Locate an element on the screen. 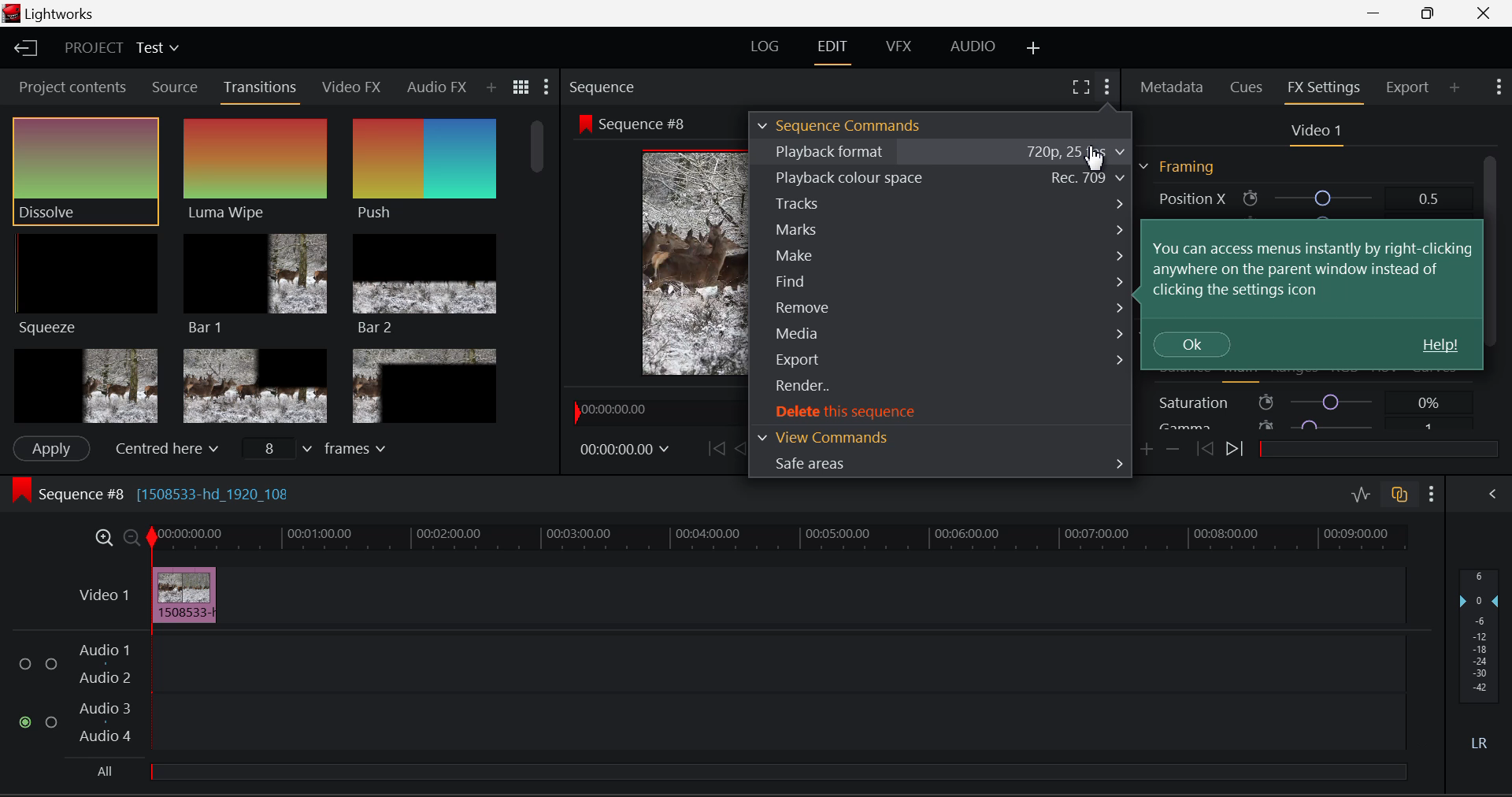  Framing Section is located at coordinates (1177, 167).